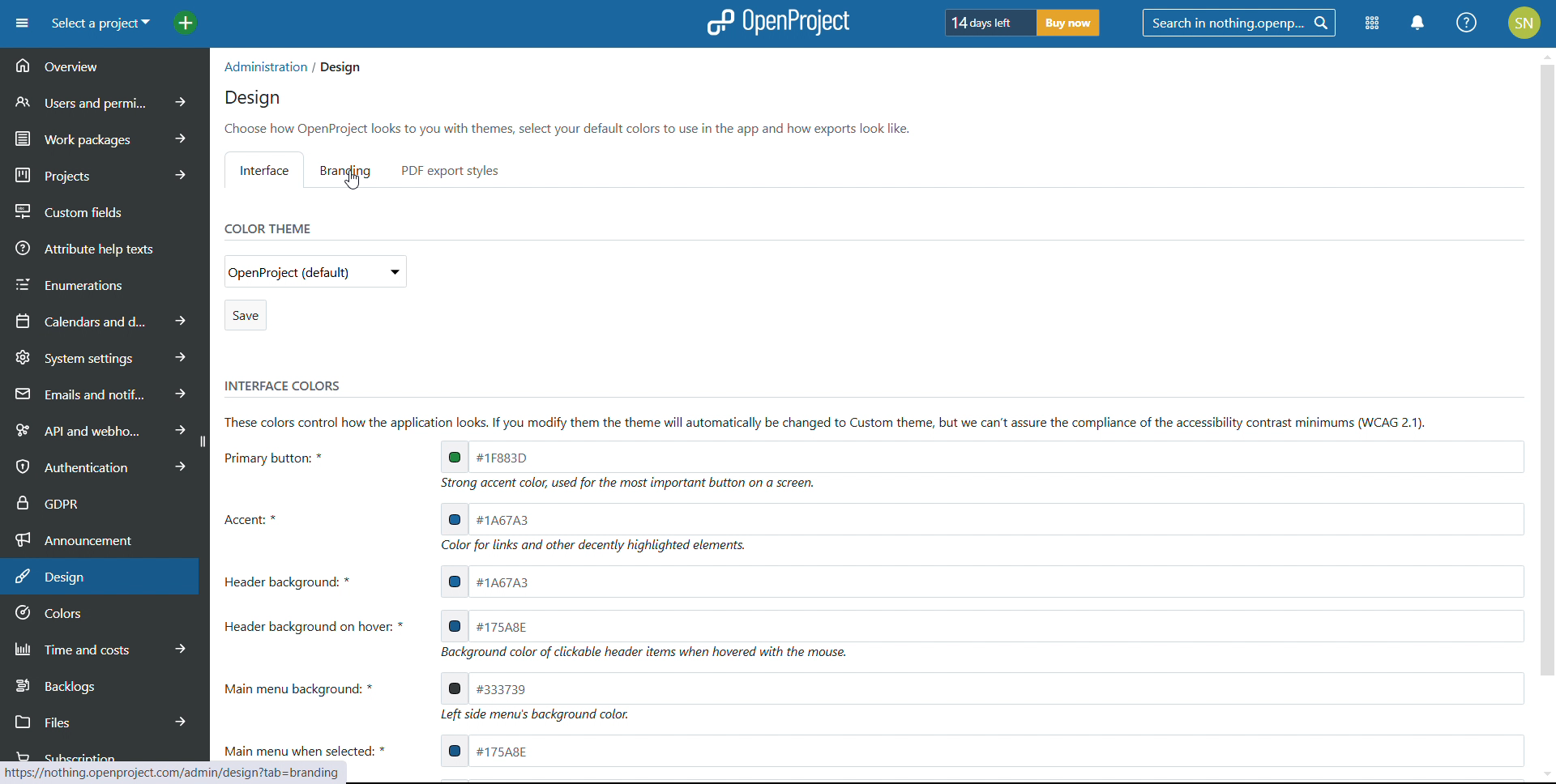 Image resolution: width=1556 pixels, height=784 pixels. Describe the element at coordinates (310, 748) in the screenshot. I see `Bl Main menu when selected: *` at that location.